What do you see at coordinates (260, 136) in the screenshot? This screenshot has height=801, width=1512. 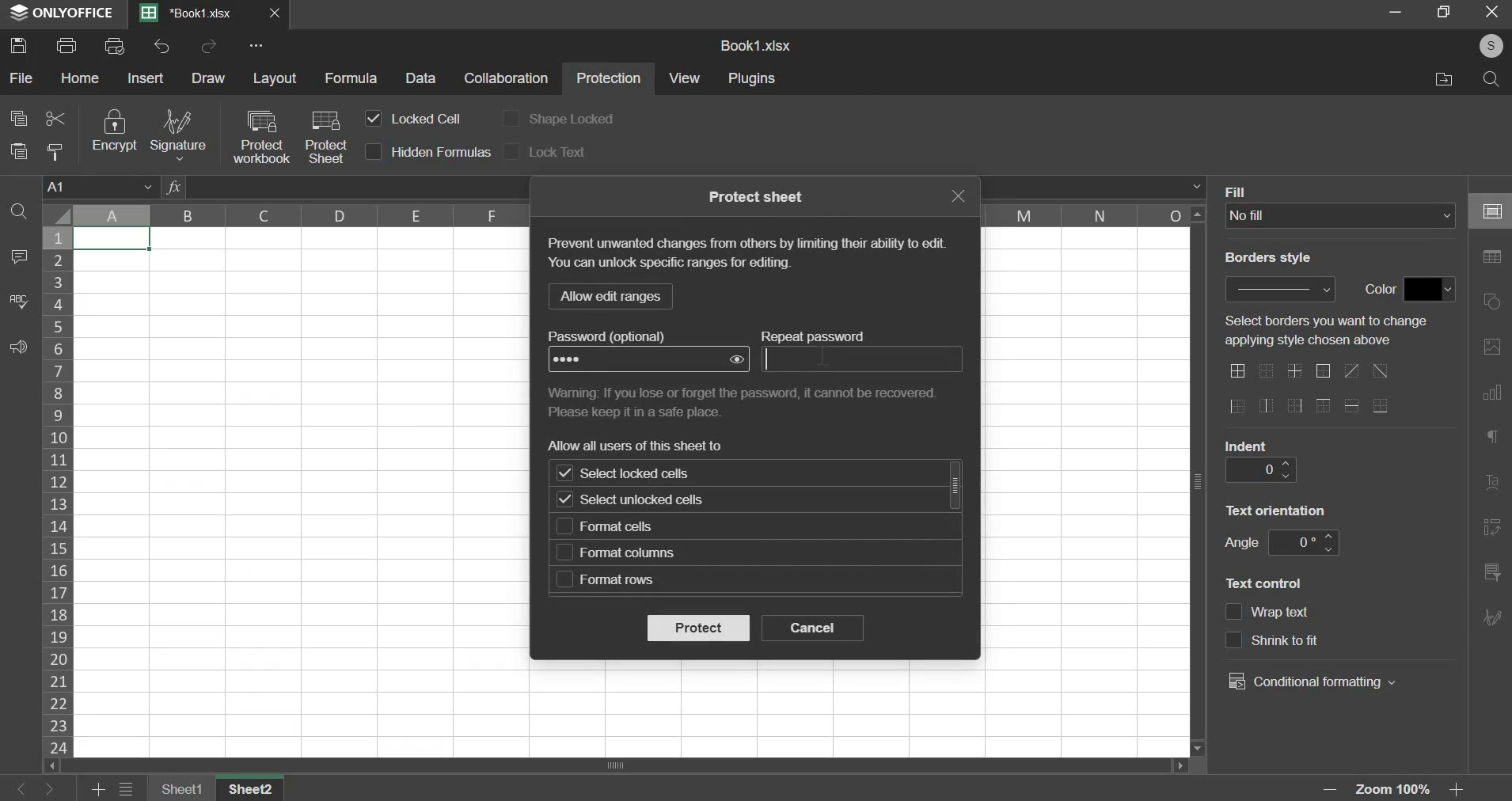 I see `protect workbook` at bounding box center [260, 136].